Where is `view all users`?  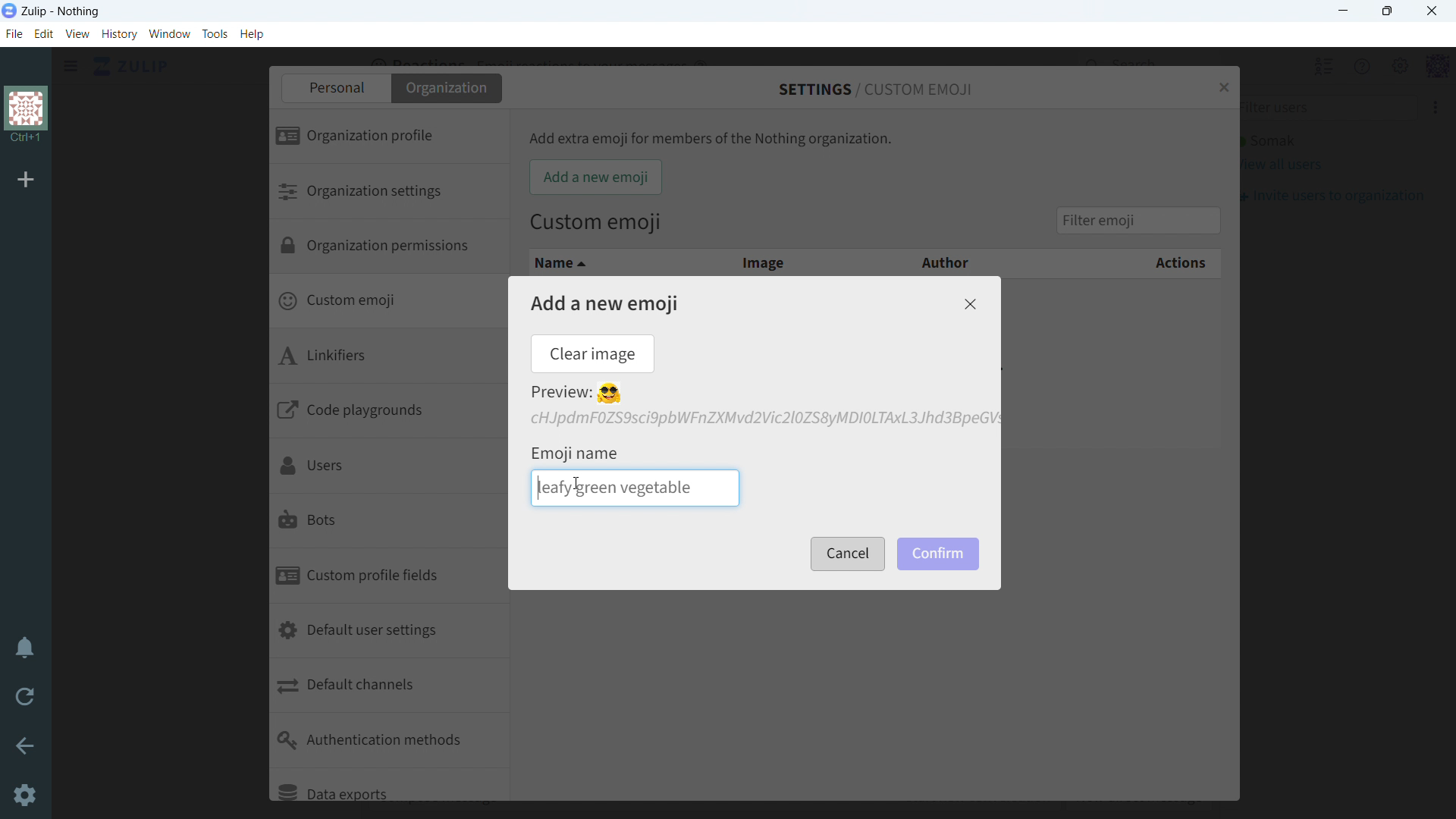
view all users is located at coordinates (1281, 165).